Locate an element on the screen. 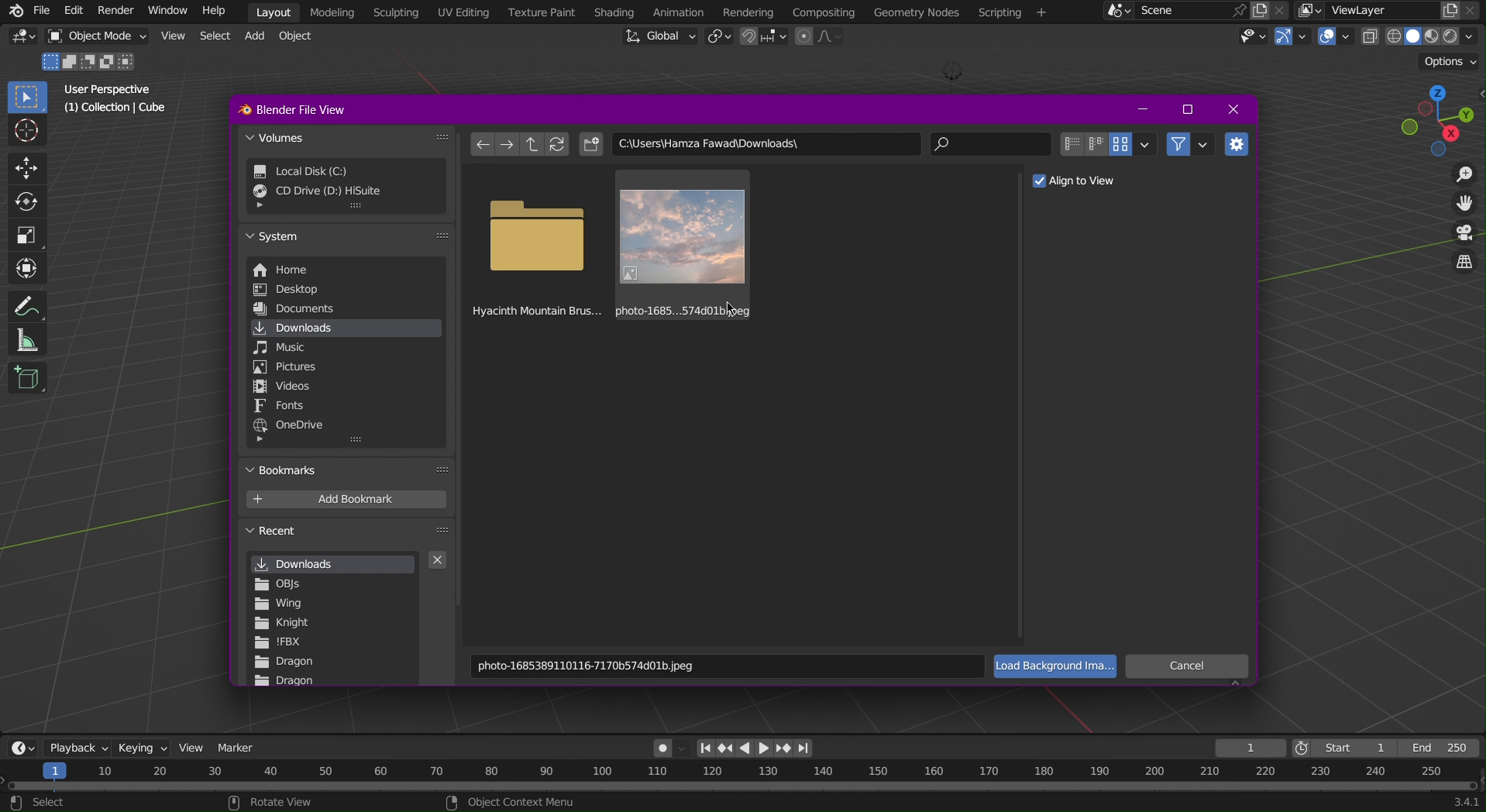  Select Box is located at coordinates (25, 98).